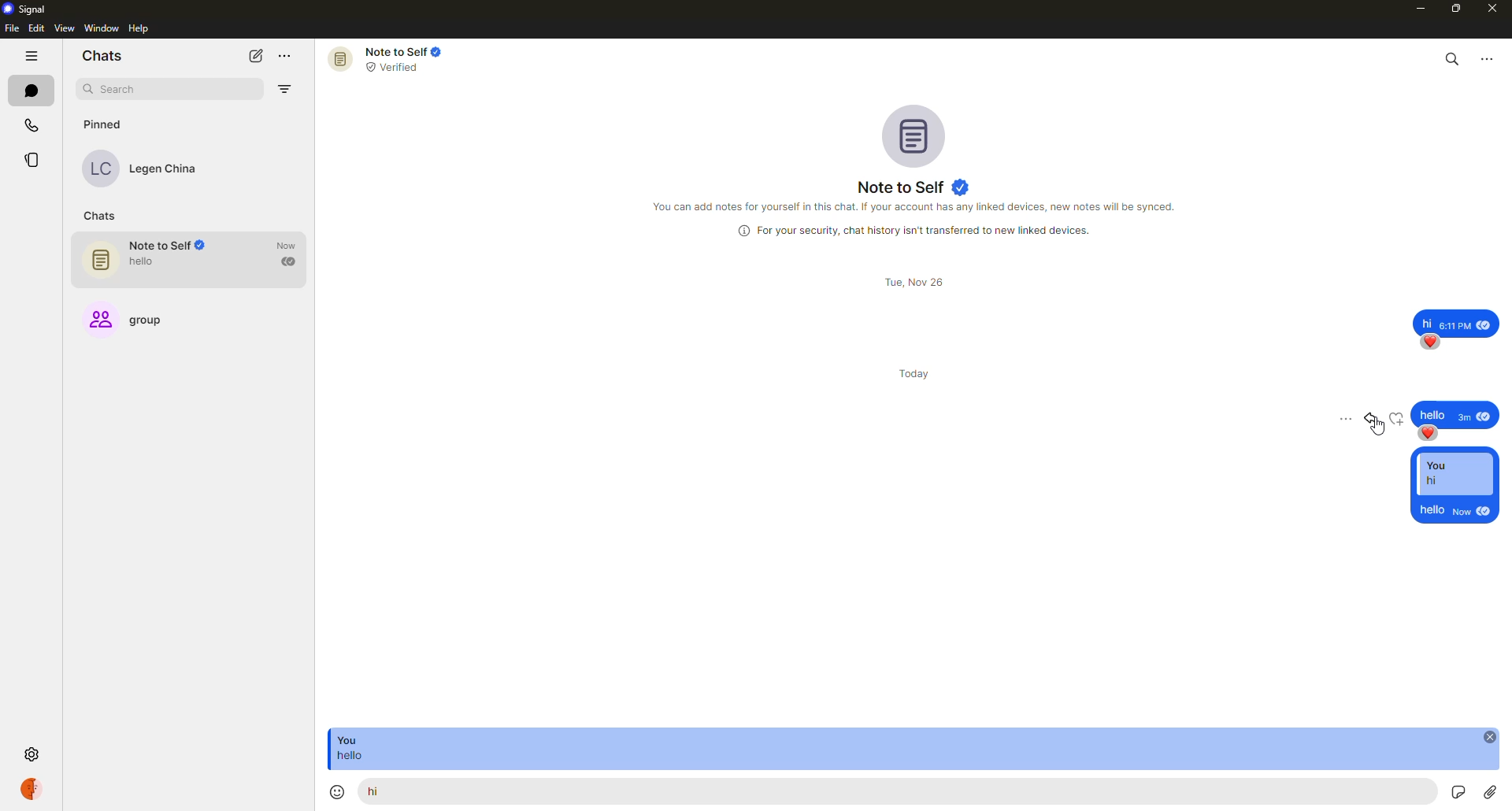 This screenshot has width=1512, height=811. Describe the element at coordinates (912, 131) in the screenshot. I see `profile pic` at that location.